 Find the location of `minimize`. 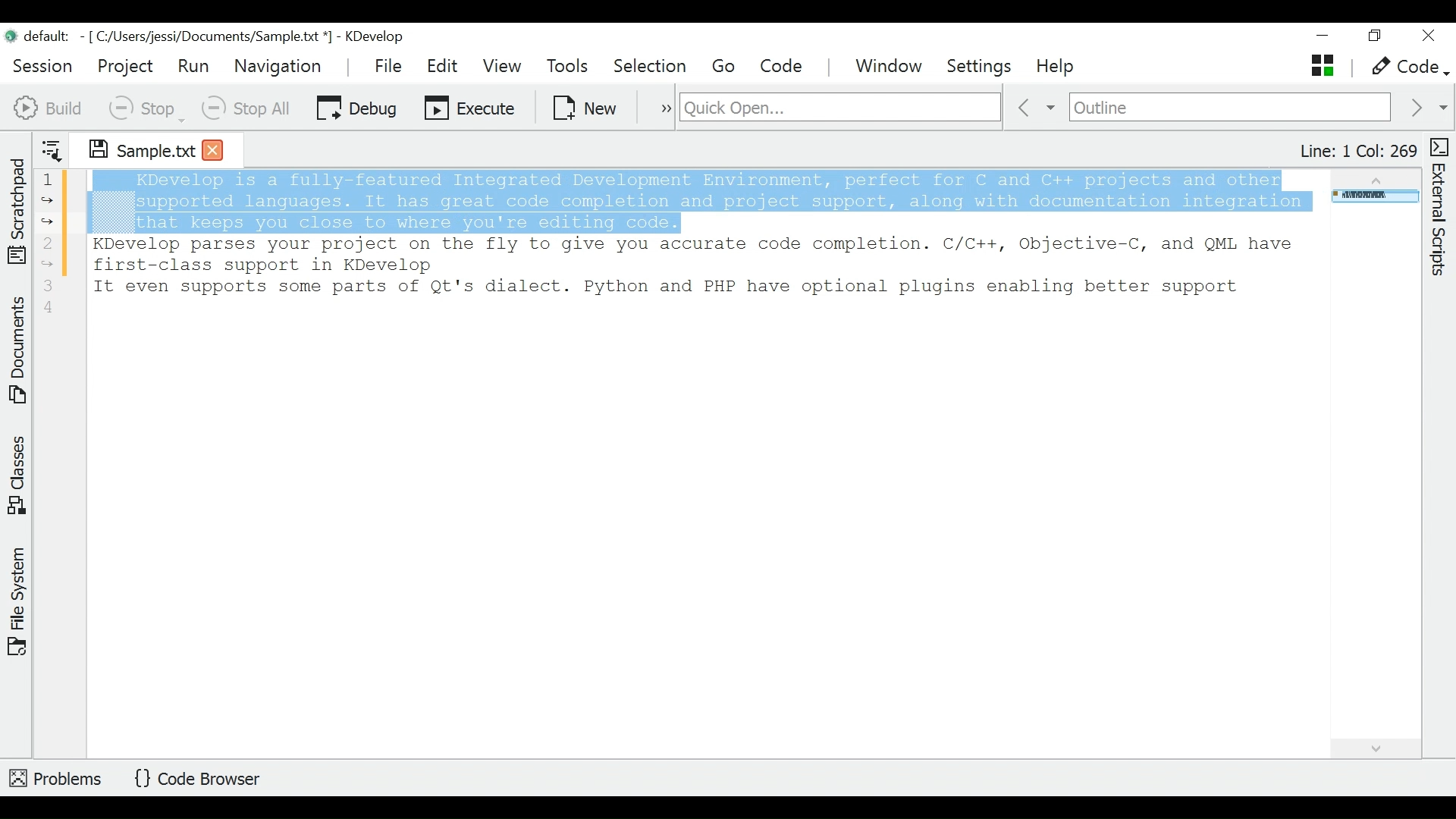

minimize is located at coordinates (1325, 37).